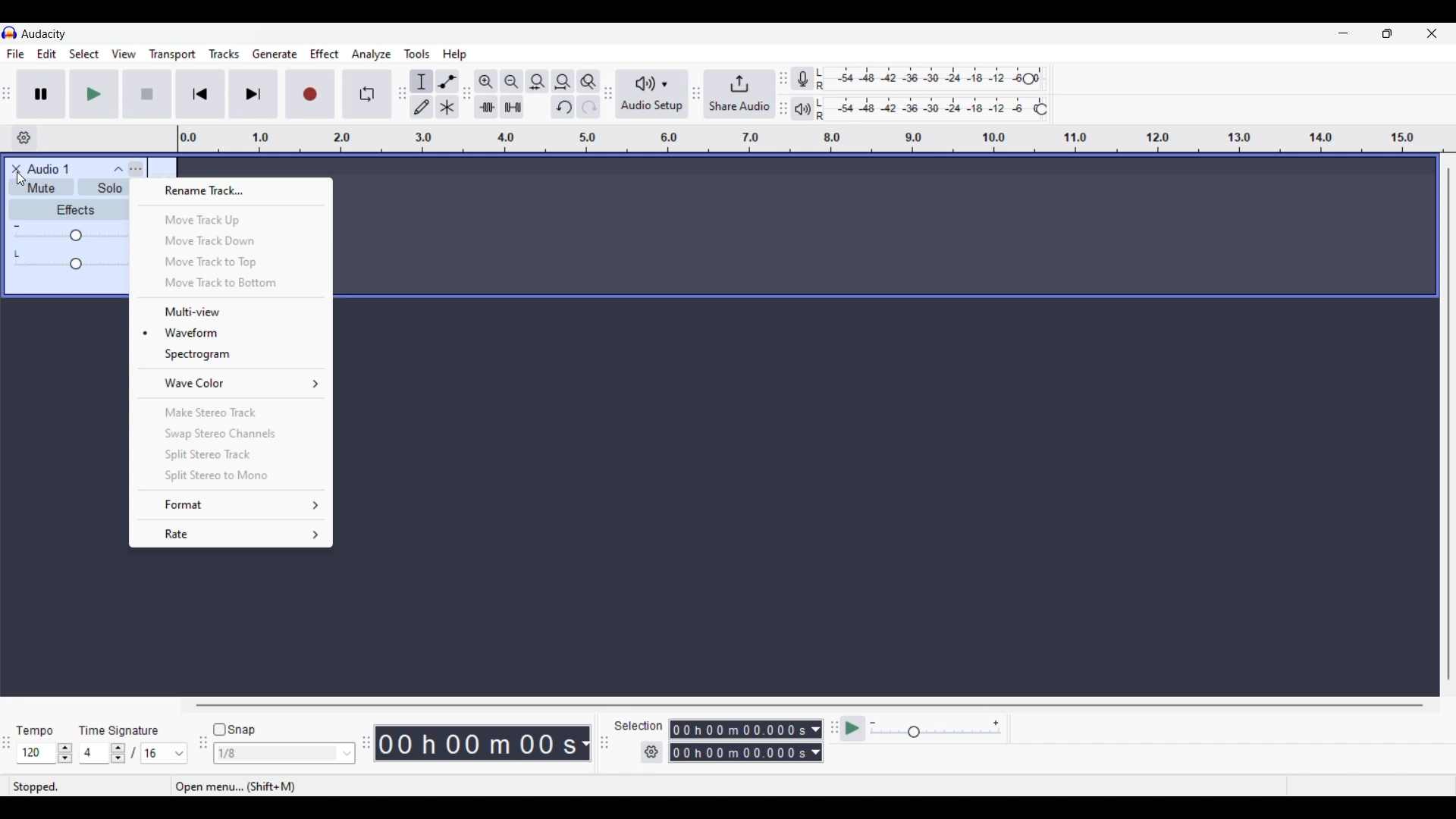  Describe the element at coordinates (230, 505) in the screenshot. I see `Format options, current selection` at that location.